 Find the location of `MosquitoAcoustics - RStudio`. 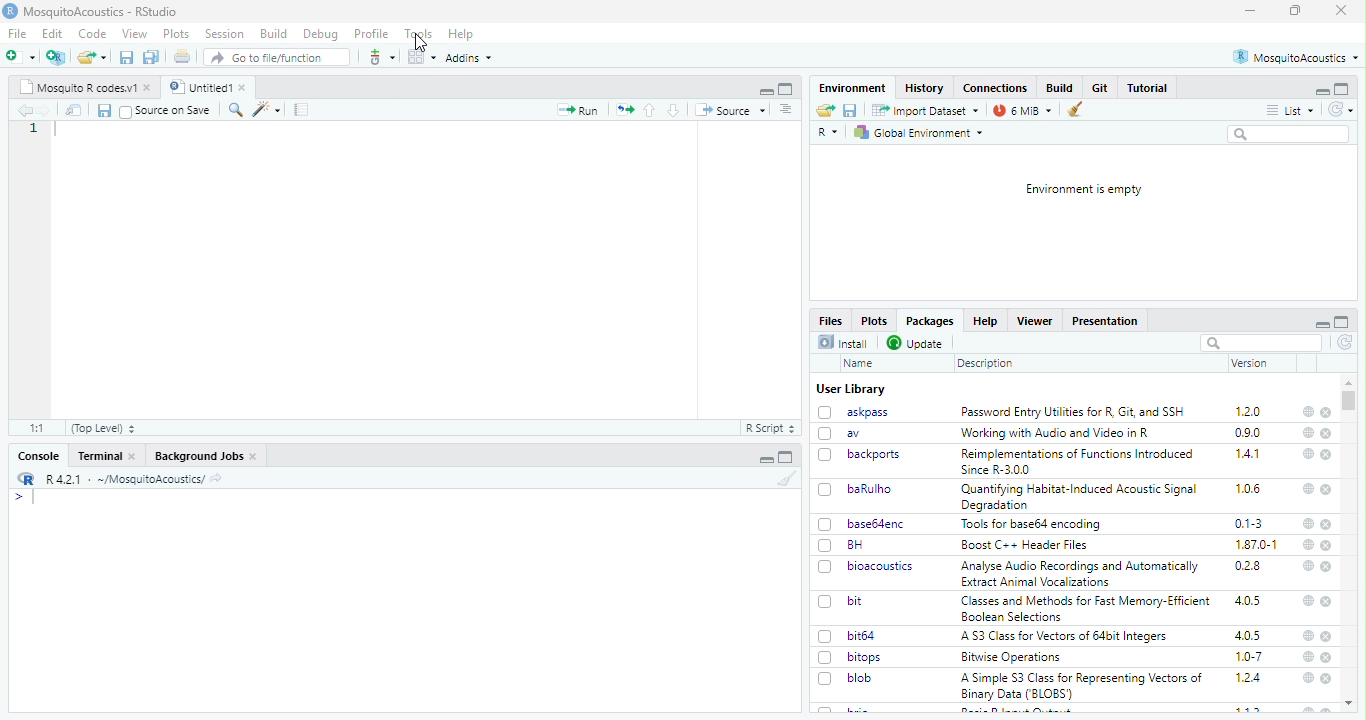

MosquitoAcoustics - RStudio is located at coordinates (101, 12).